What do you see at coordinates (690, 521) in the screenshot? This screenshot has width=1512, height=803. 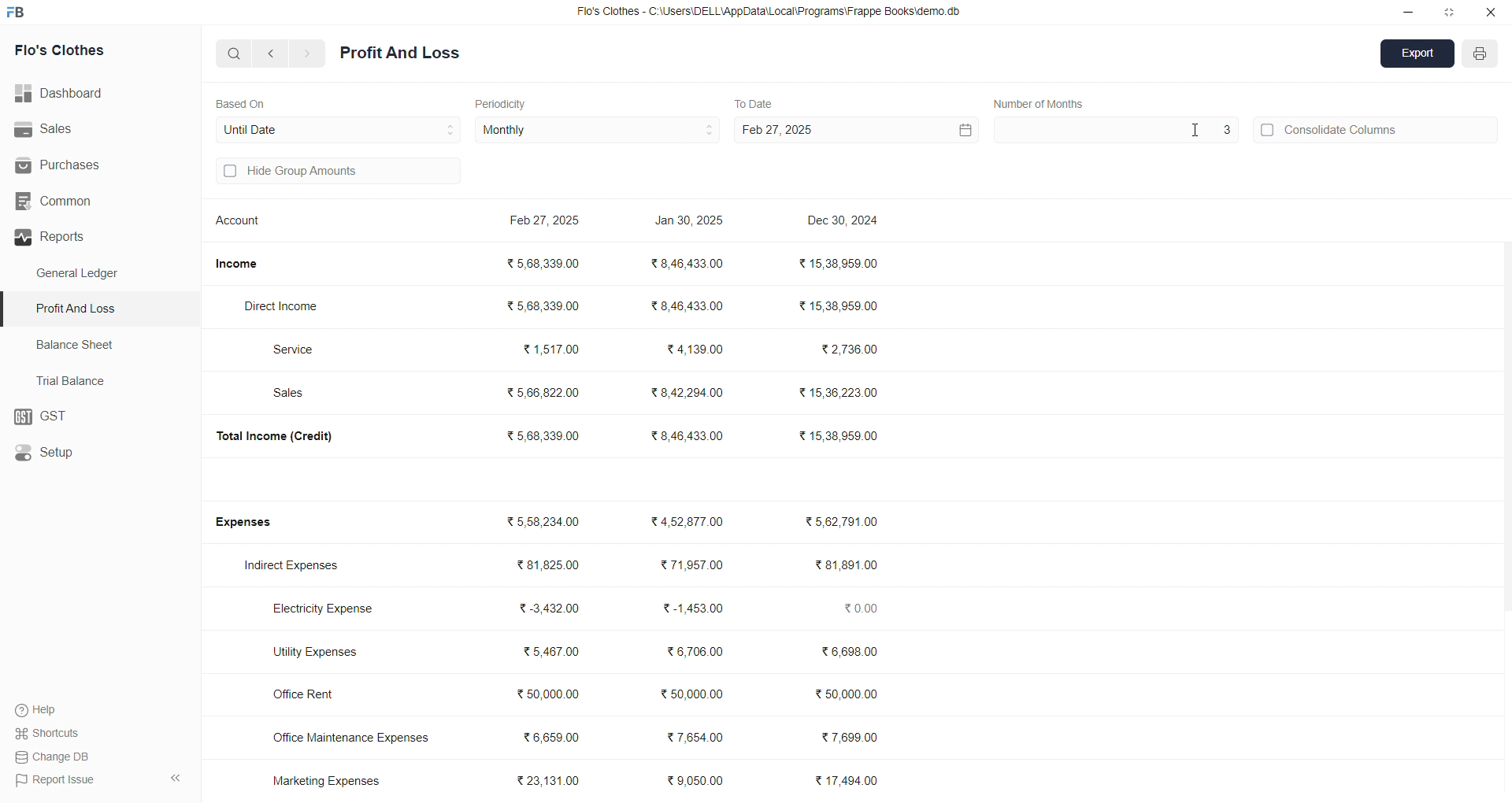 I see `₹4,52,877.00` at bounding box center [690, 521].